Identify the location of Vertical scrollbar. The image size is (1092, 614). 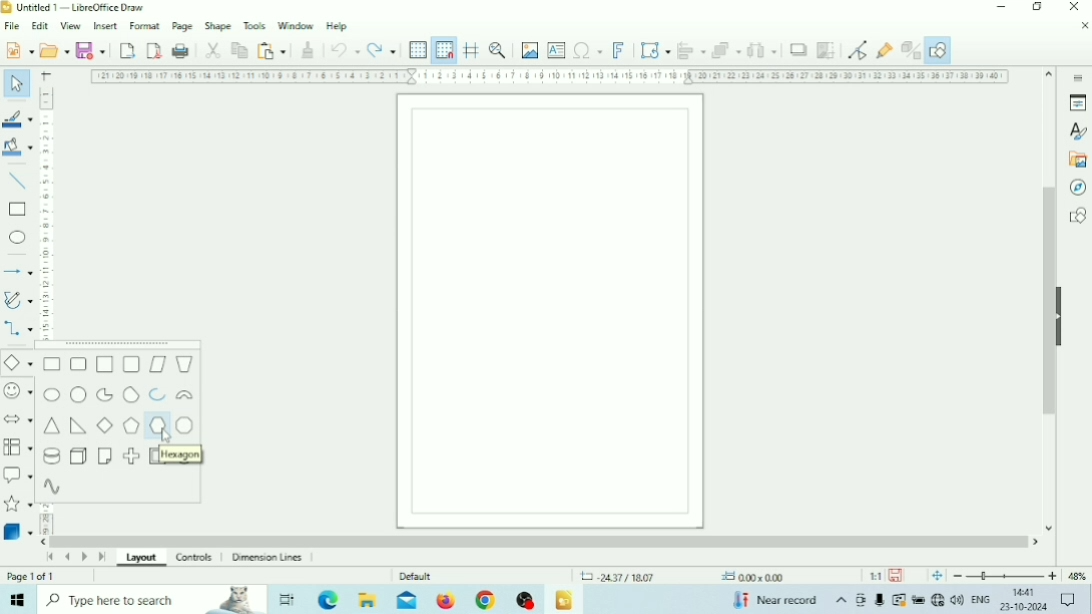
(1049, 301).